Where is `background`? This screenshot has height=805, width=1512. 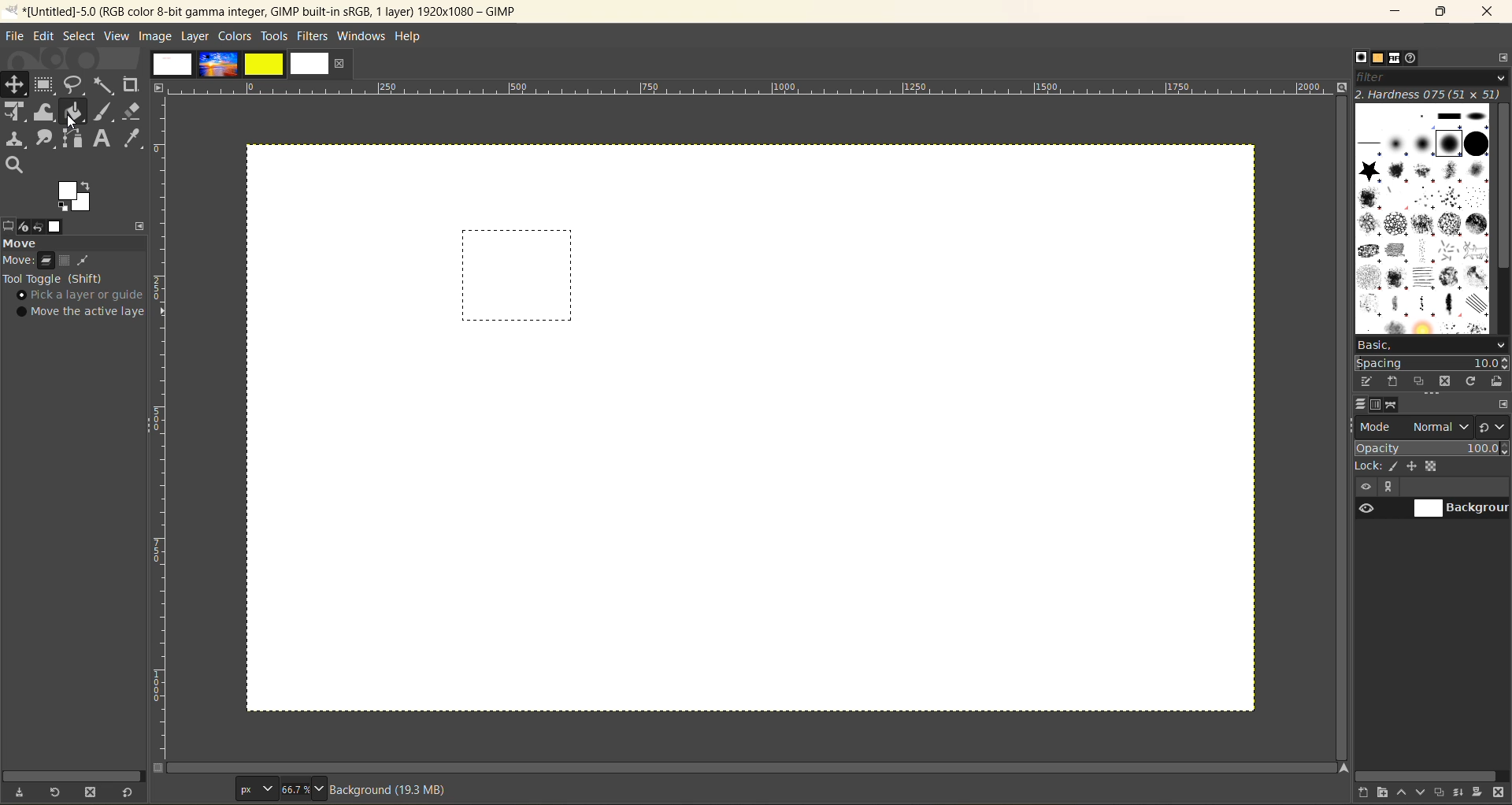
background is located at coordinates (1461, 509).